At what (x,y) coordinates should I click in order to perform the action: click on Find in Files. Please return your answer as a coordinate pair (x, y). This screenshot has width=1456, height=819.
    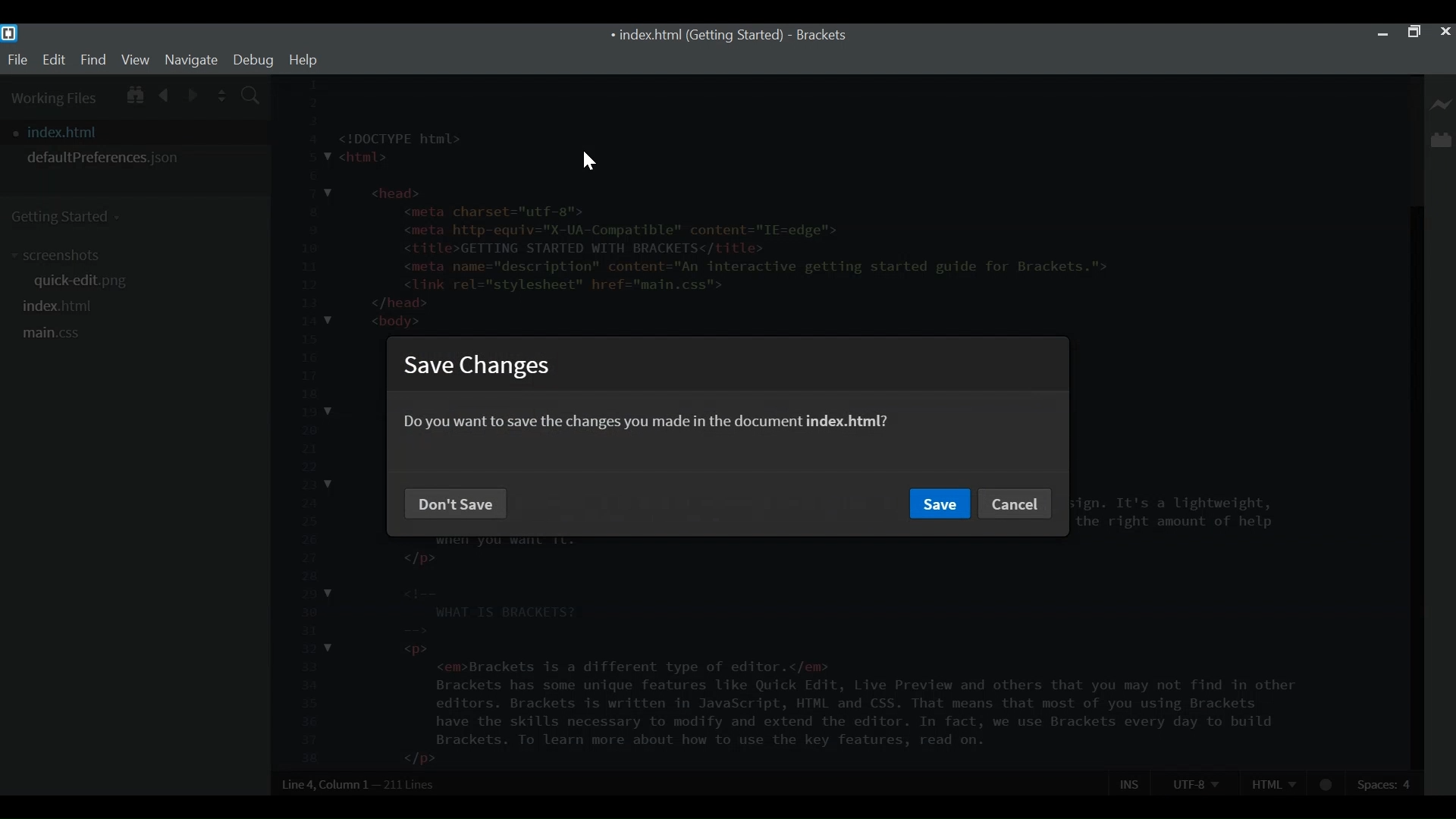
    Looking at the image, I should click on (252, 97).